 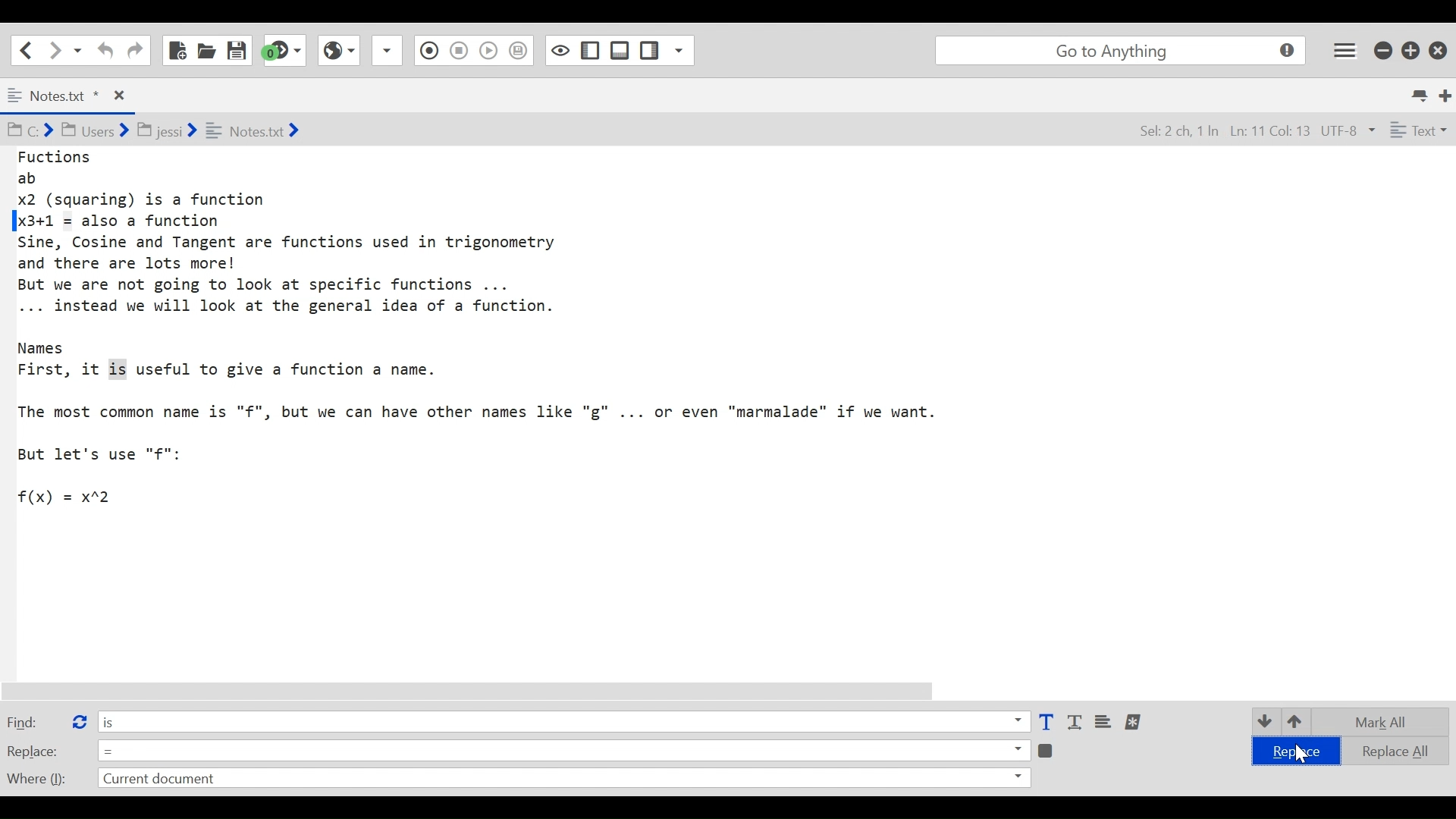 I want to click on Sel: 2 ch, 1In, so click(x=1191, y=132).